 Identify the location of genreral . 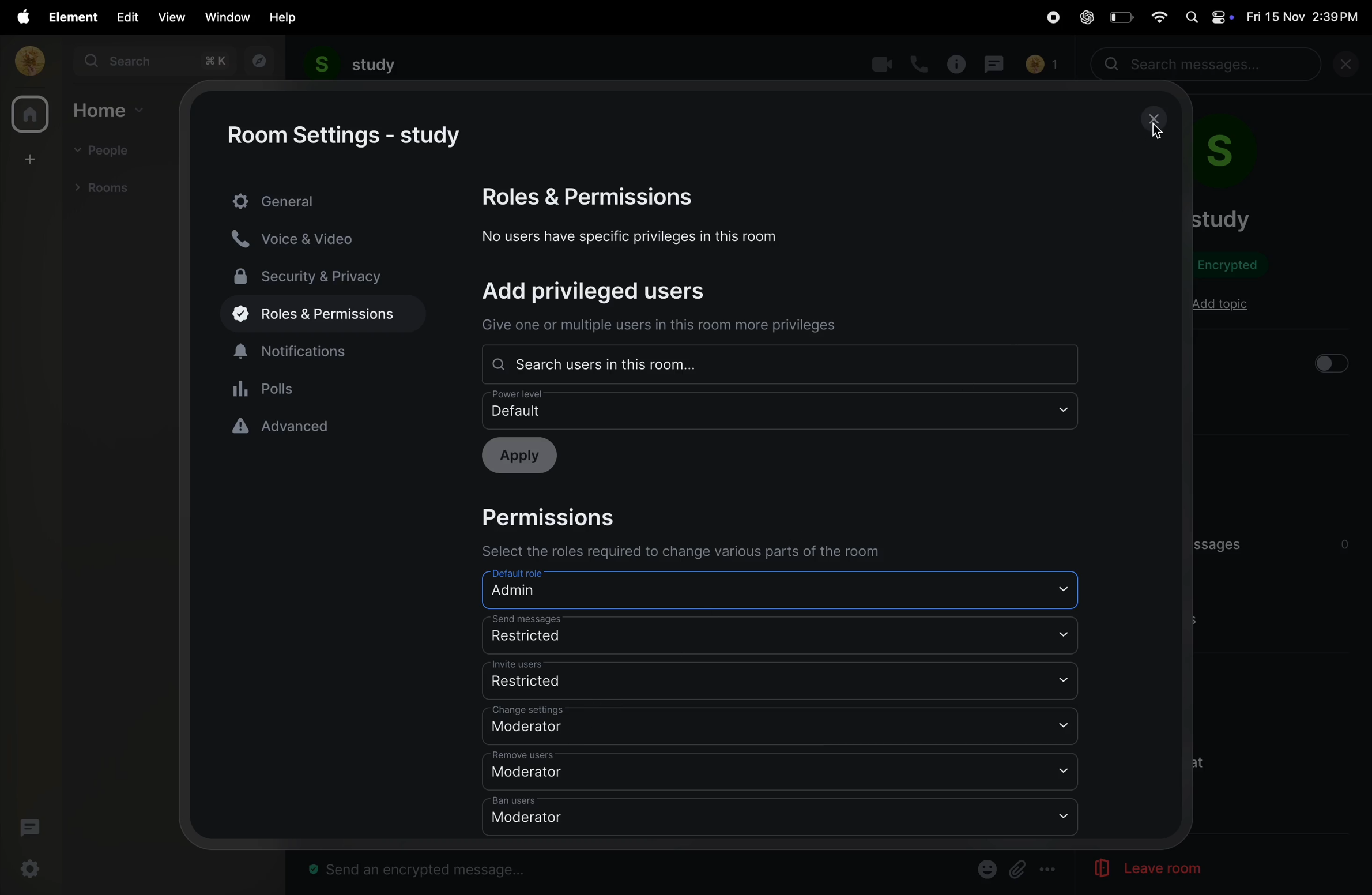
(325, 200).